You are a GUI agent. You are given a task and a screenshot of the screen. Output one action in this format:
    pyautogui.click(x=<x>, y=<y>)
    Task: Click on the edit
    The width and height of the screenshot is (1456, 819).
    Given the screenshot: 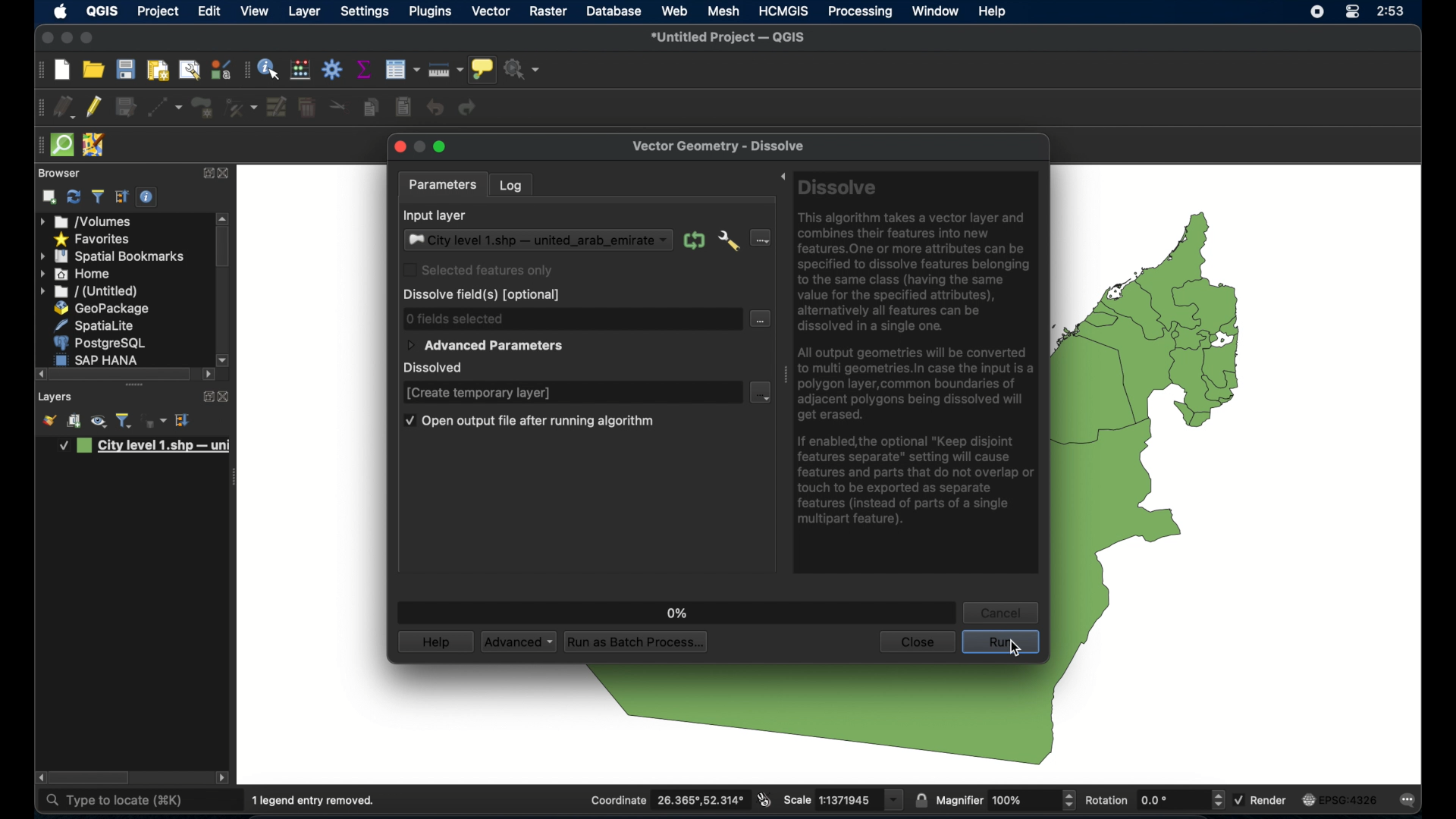 What is the action you would take?
    pyautogui.click(x=209, y=11)
    